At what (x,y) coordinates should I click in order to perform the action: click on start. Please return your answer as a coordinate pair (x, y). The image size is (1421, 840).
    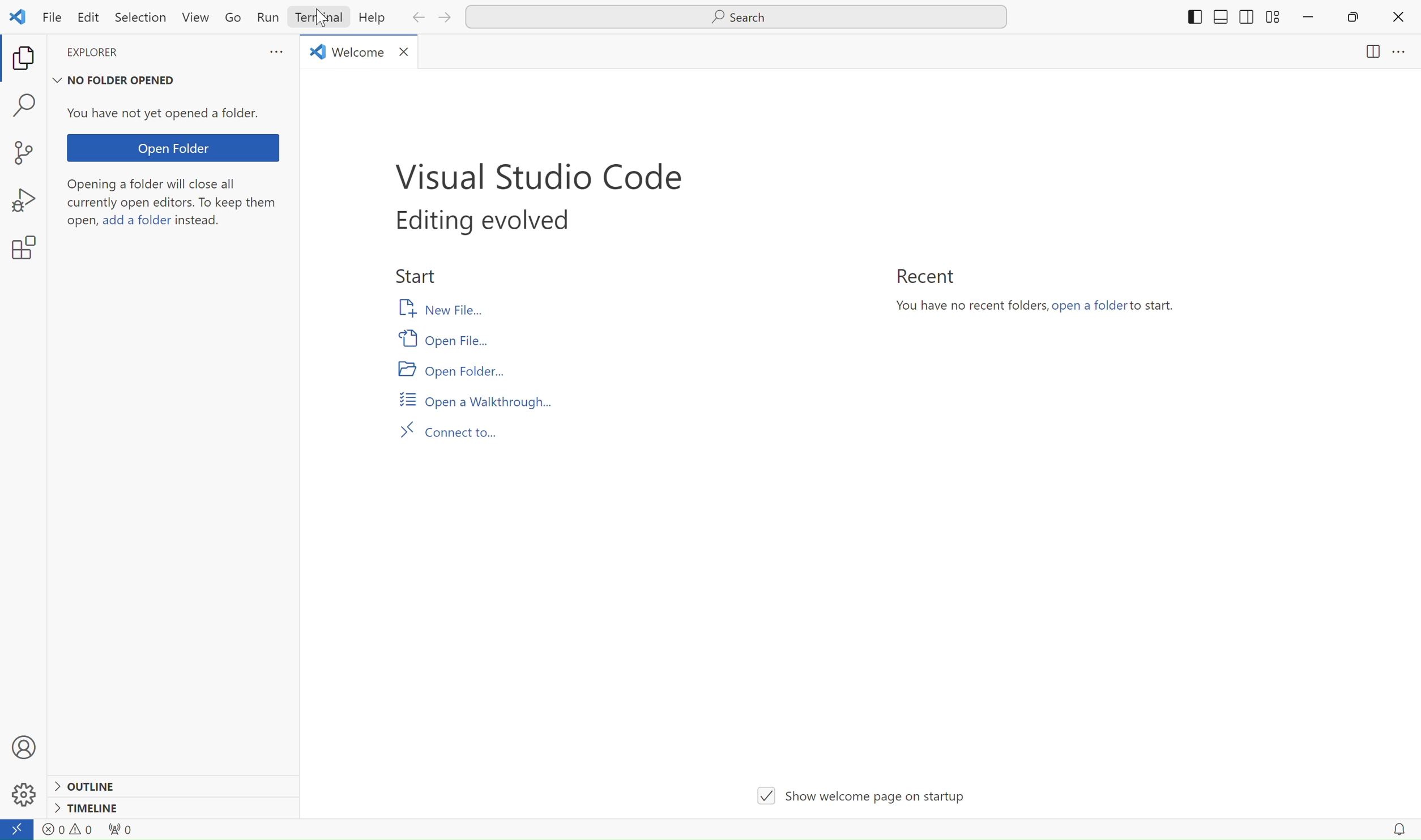
    Looking at the image, I should click on (419, 272).